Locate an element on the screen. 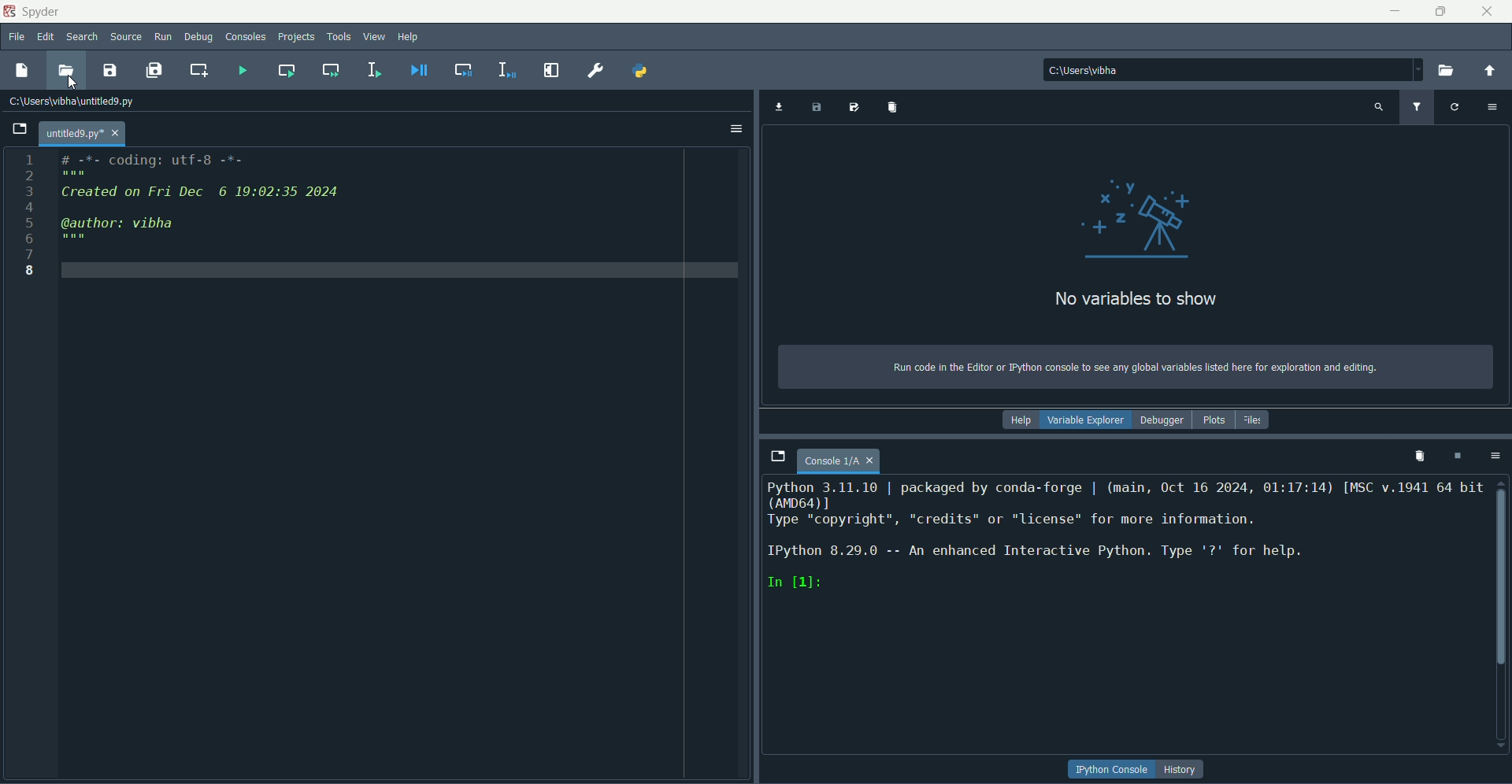 The width and height of the screenshot is (1512, 784). import variables is located at coordinates (891, 108).